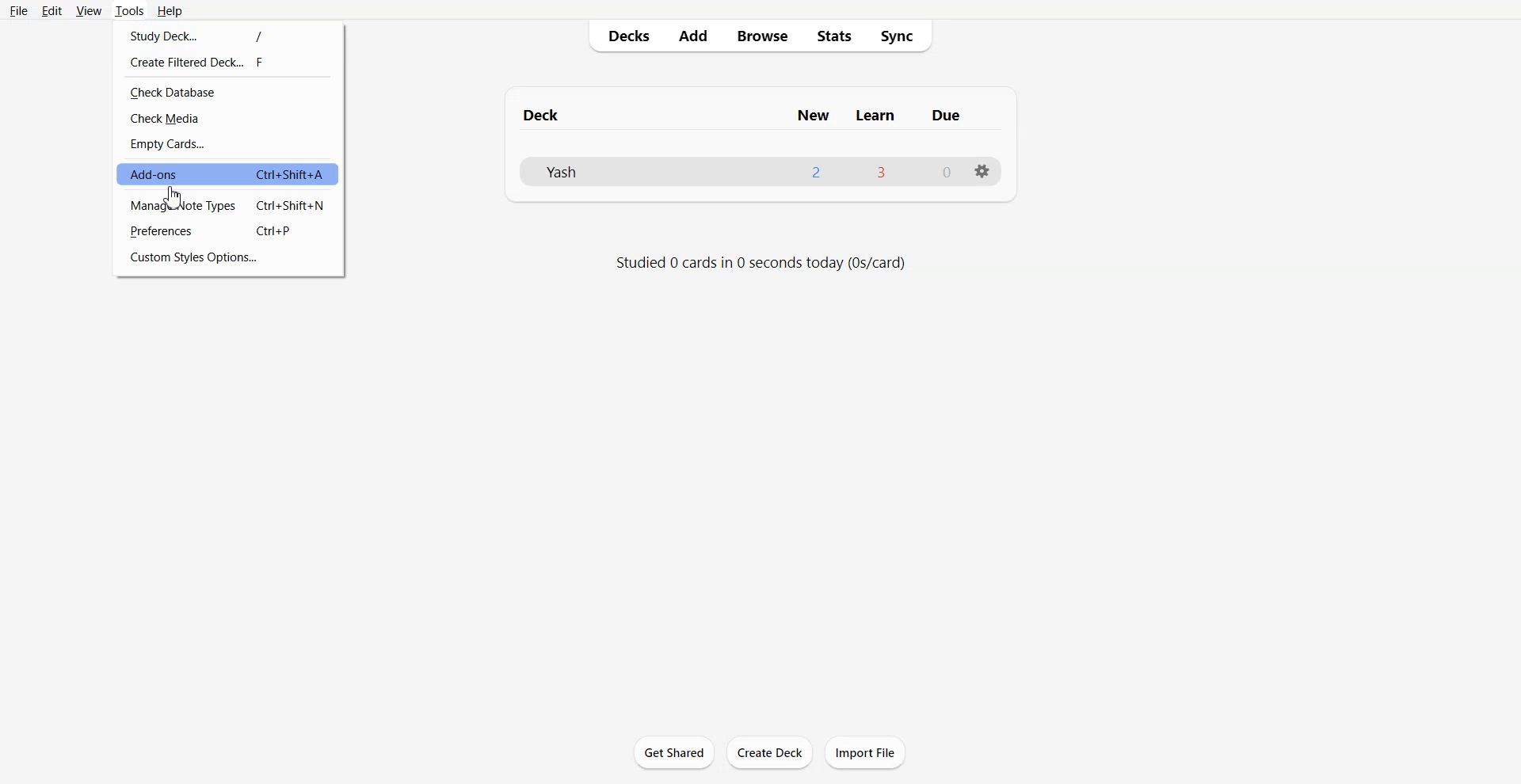 This screenshot has height=784, width=1521. What do you see at coordinates (228, 207) in the screenshot?
I see `Manage Note Types` at bounding box center [228, 207].